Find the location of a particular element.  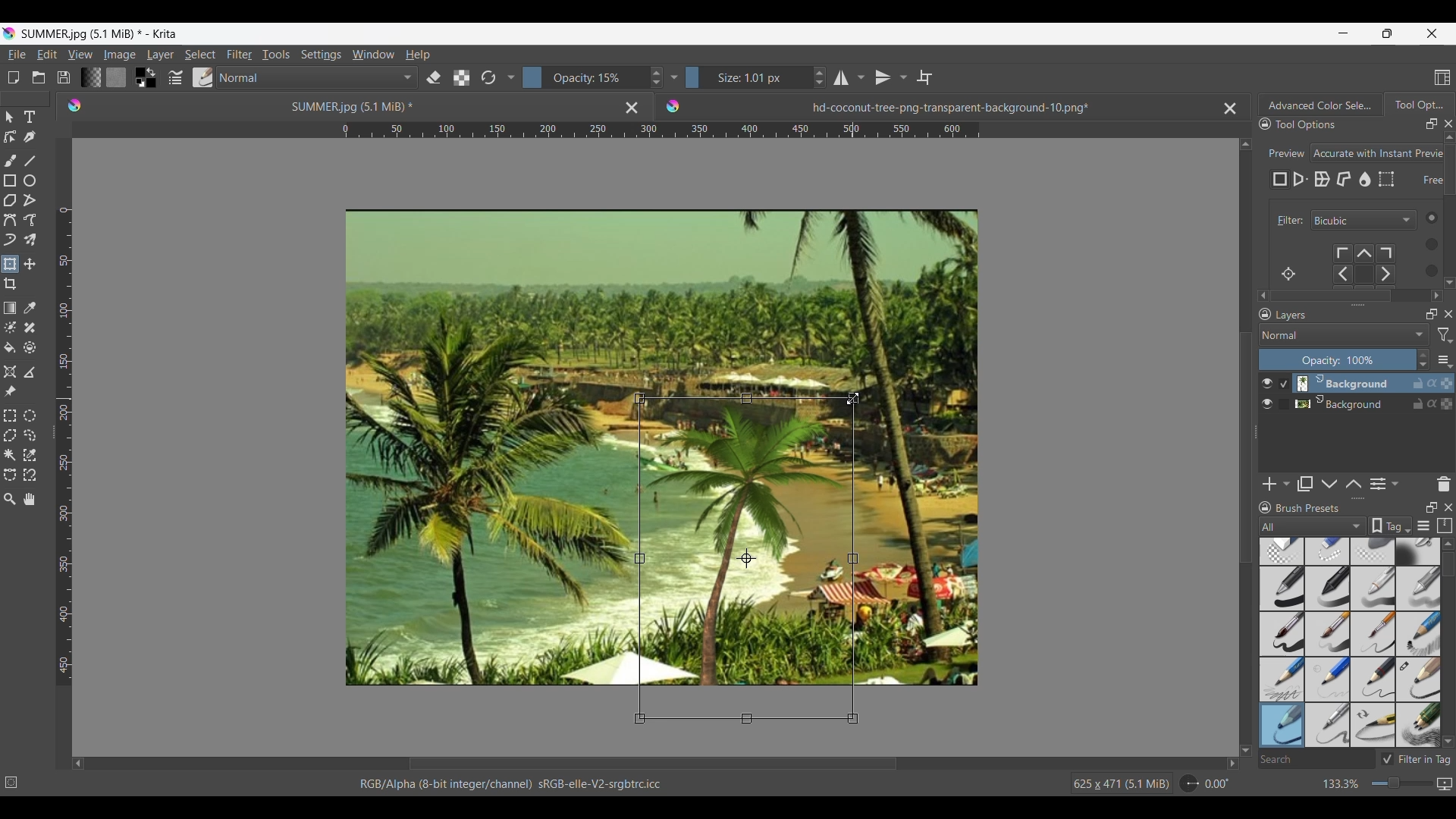

Lock Layers is located at coordinates (1265, 314).